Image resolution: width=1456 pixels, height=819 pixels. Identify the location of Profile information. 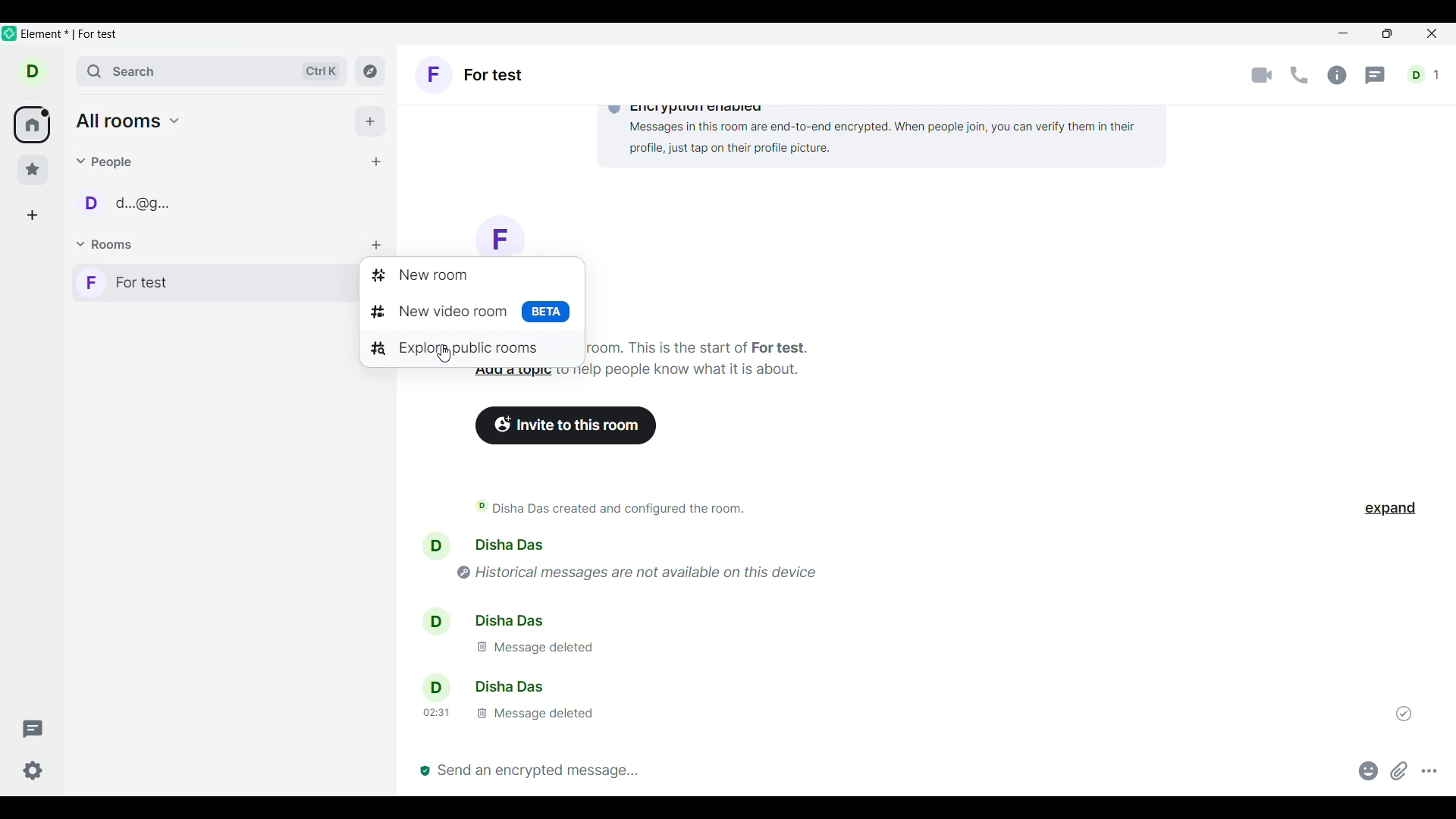
(431, 617).